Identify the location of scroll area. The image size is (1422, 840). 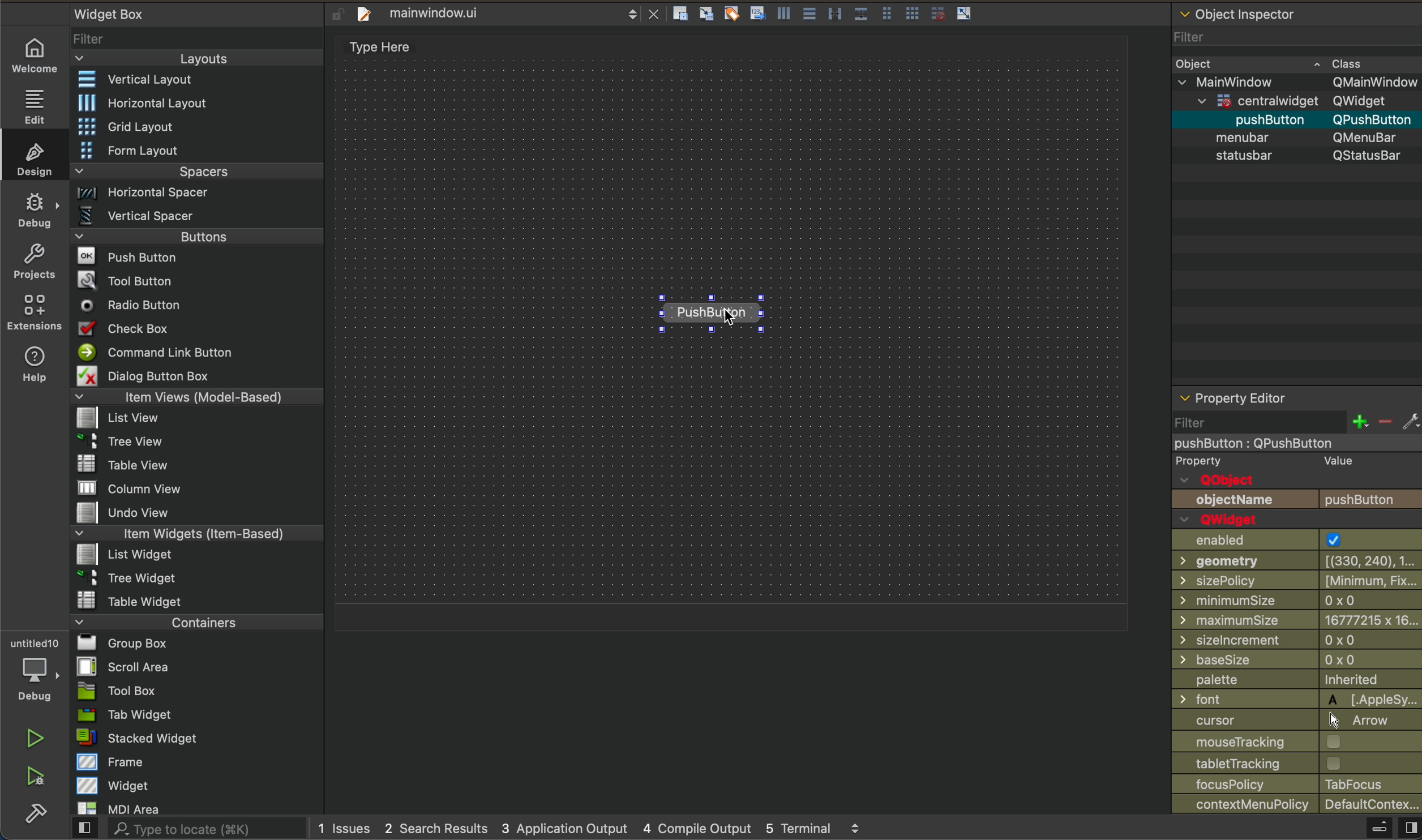
(200, 670).